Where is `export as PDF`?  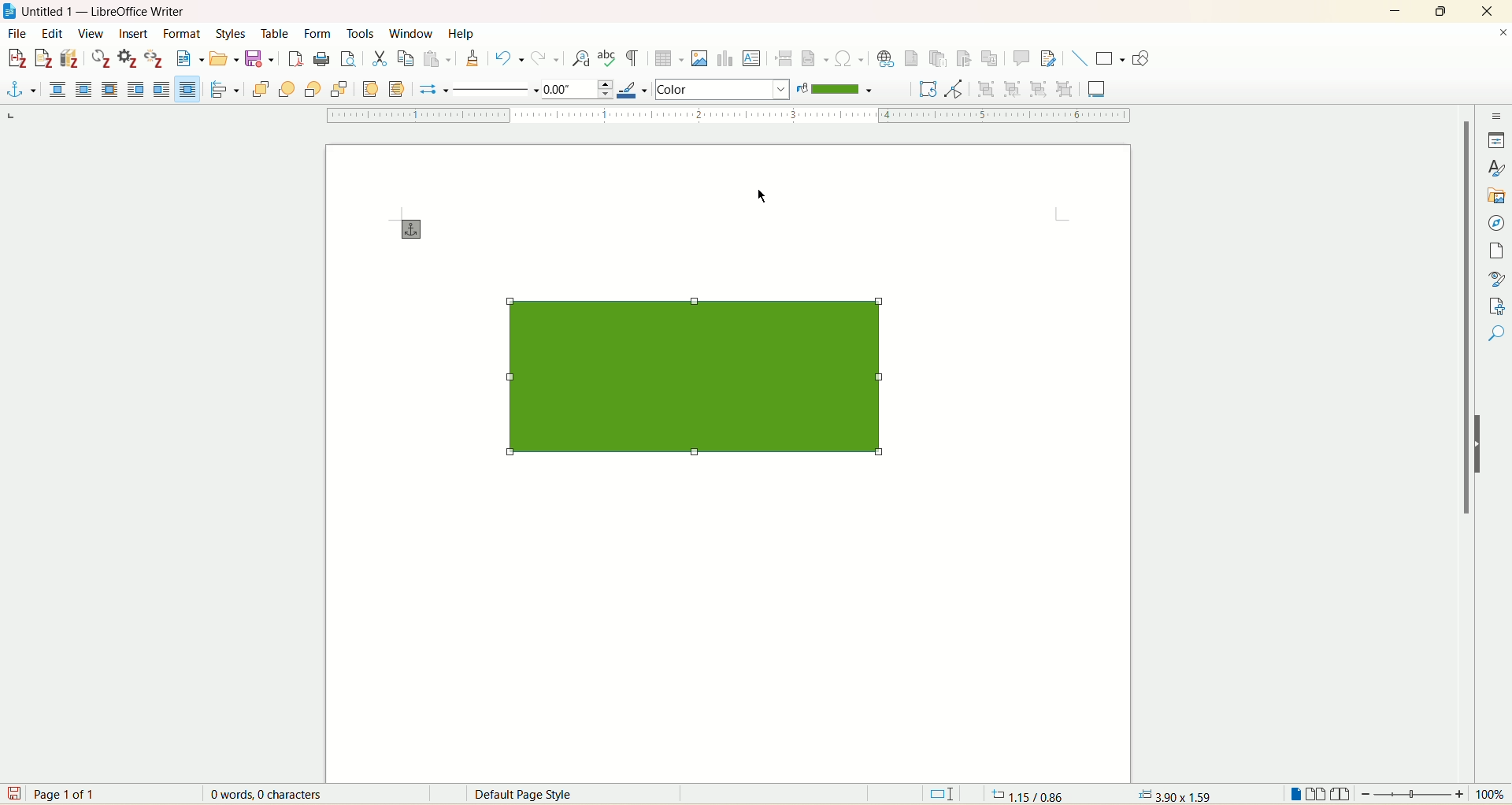 export as PDF is located at coordinates (295, 61).